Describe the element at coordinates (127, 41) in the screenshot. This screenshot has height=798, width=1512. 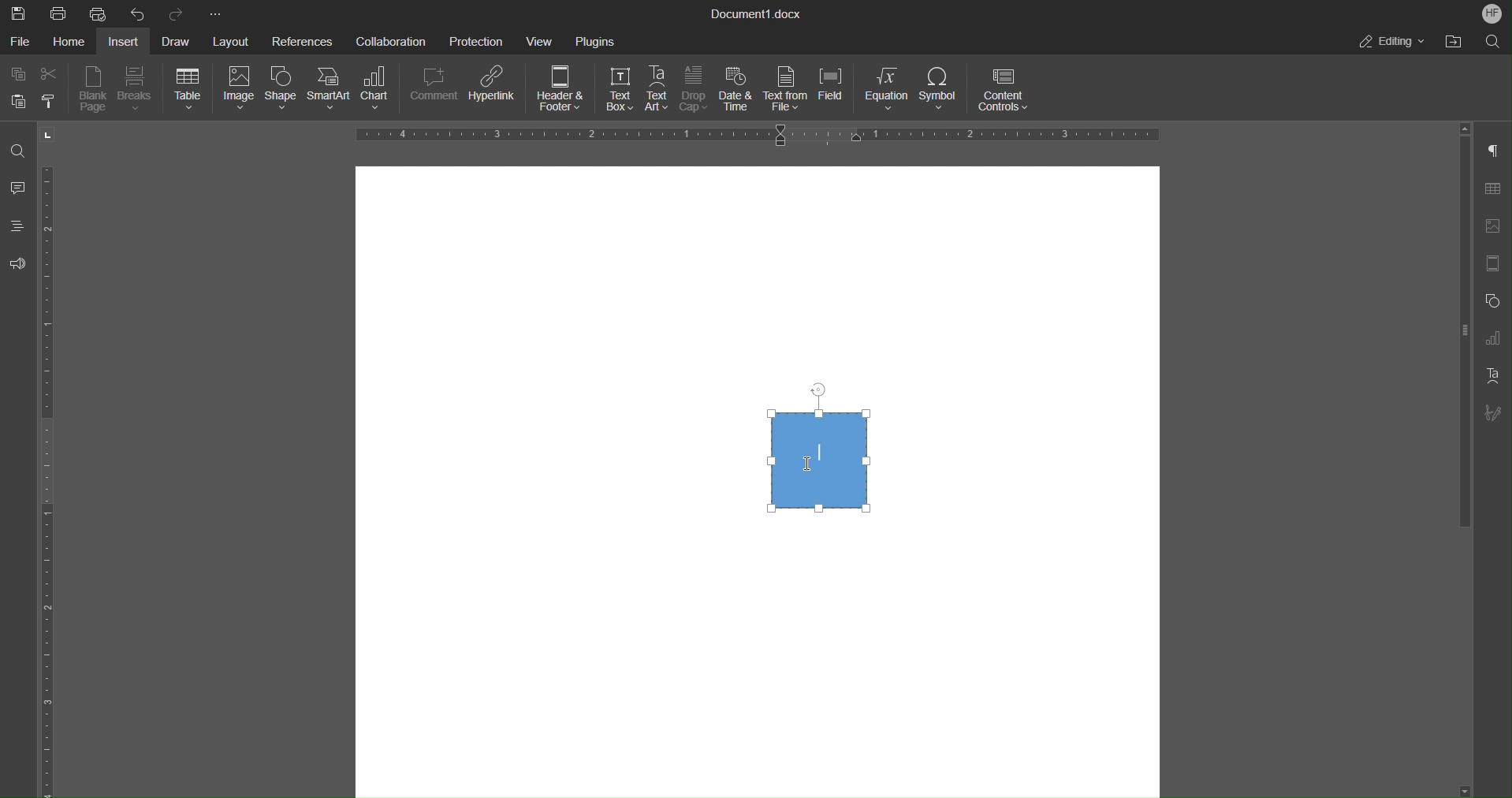
I see `Insert` at that location.